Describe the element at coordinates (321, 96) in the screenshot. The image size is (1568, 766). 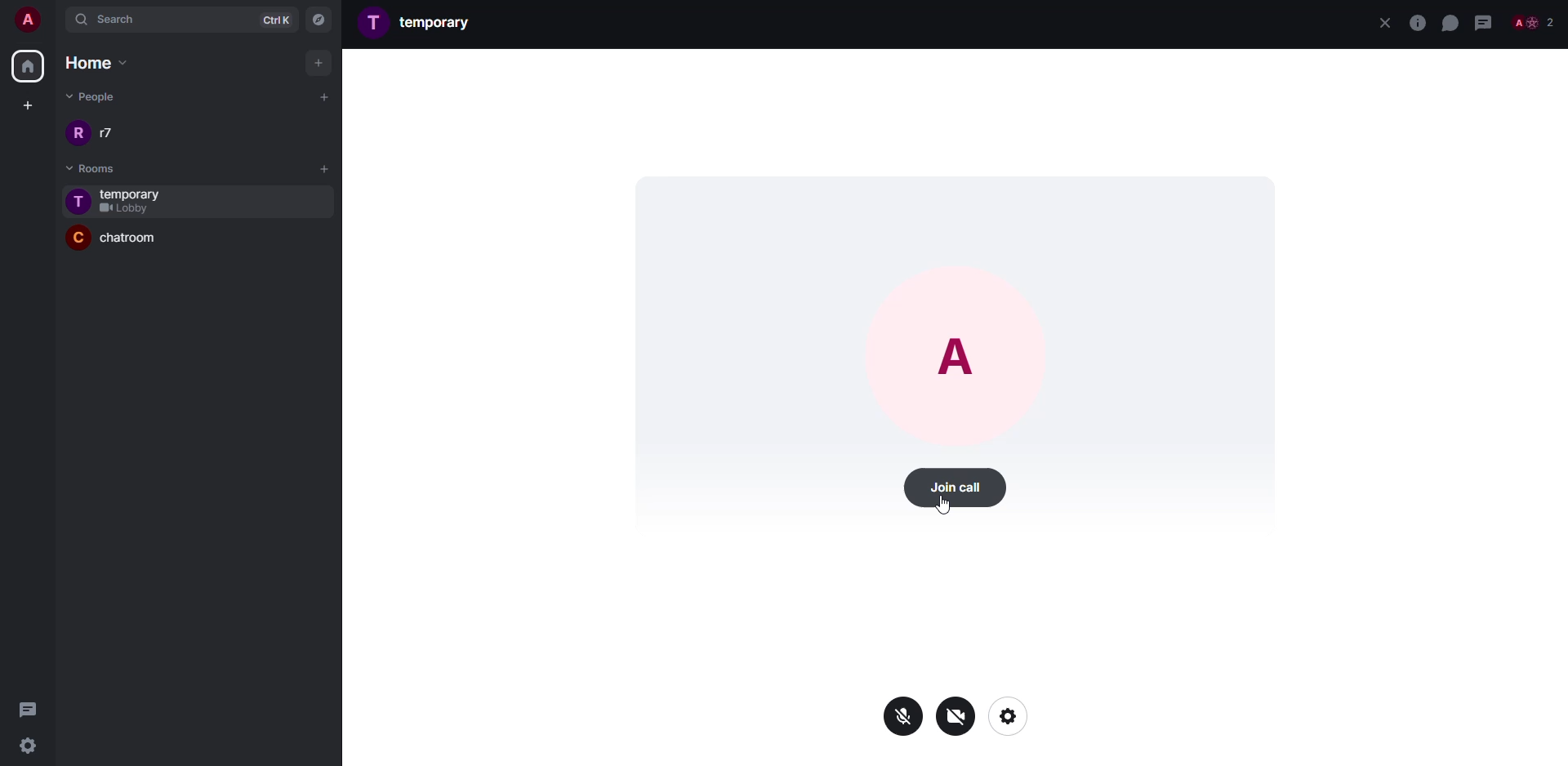
I see `add` at that location.